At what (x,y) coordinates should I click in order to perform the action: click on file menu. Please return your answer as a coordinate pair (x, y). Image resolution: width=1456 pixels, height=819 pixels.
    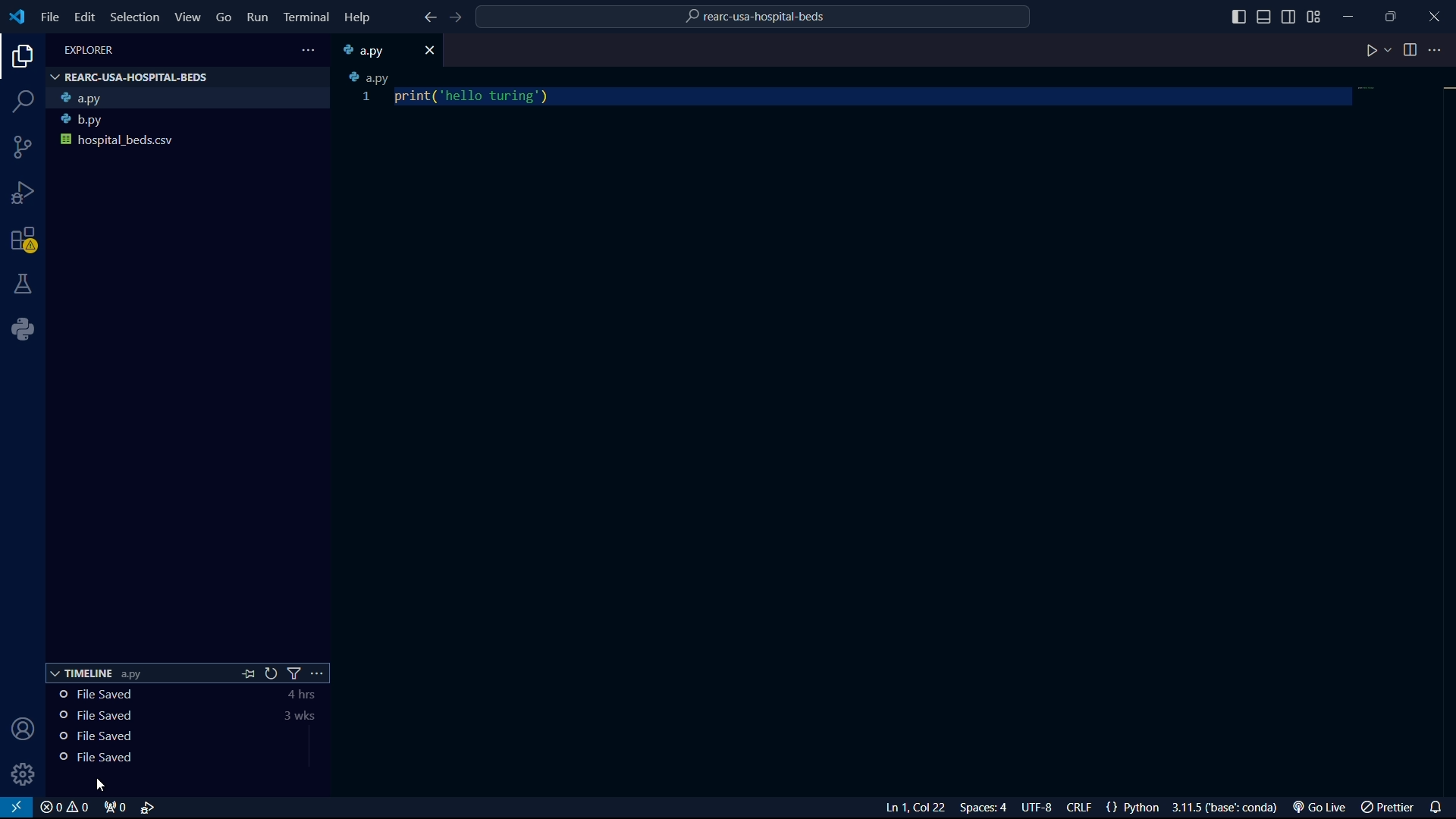
    Looking at the image, I should click on (49, 17).